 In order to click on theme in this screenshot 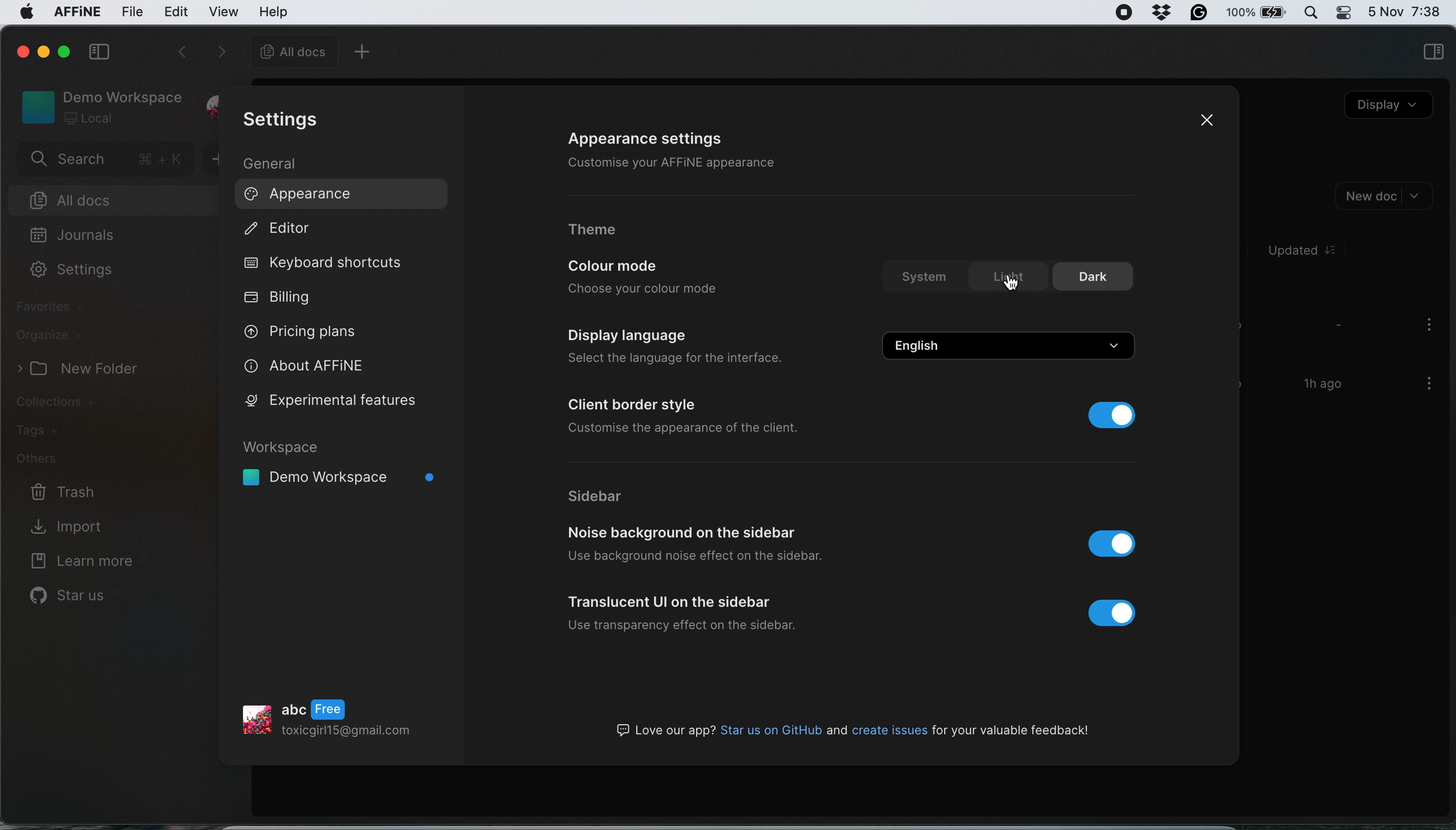, I will do `click(595, 231)`.